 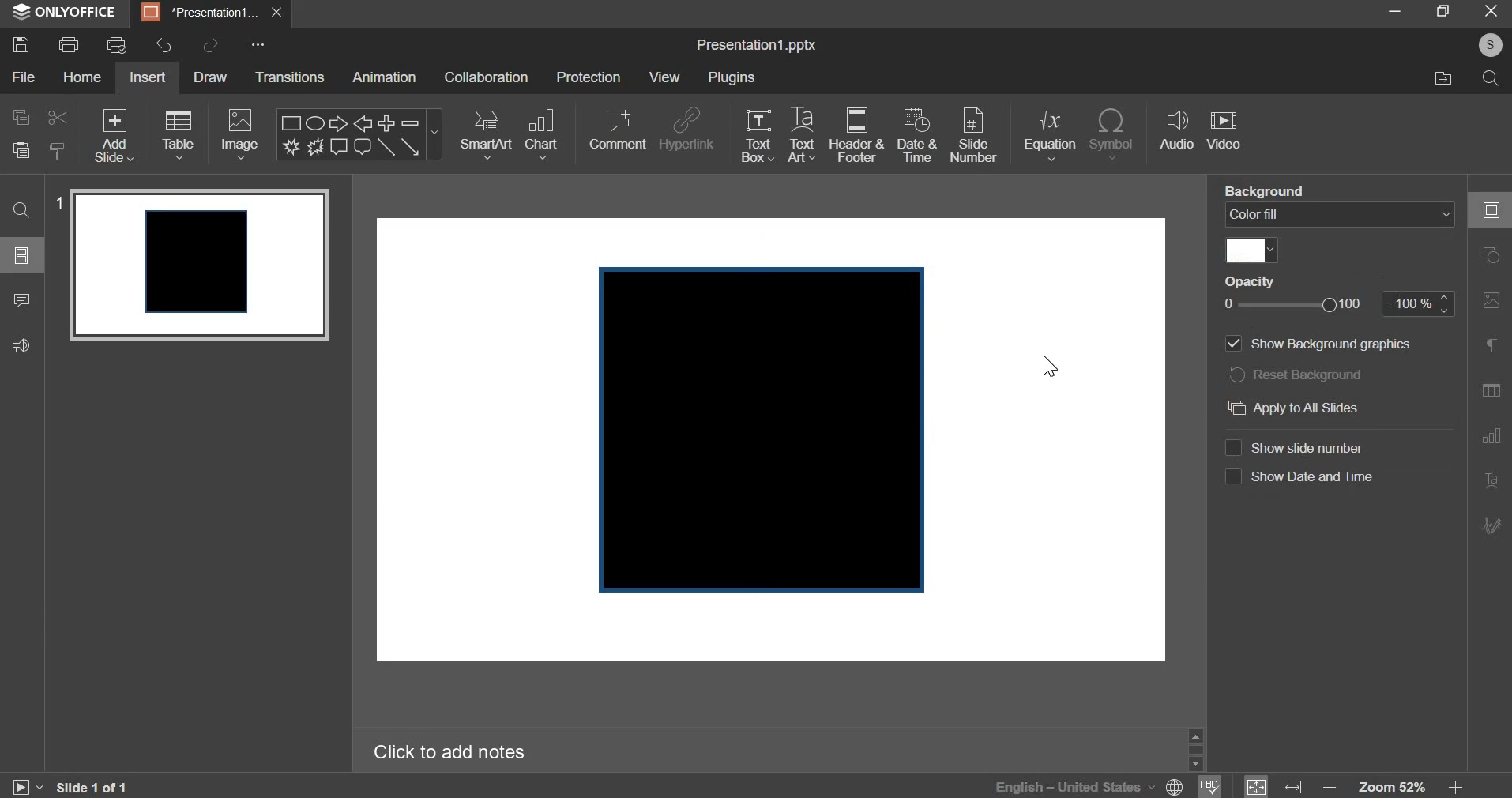 I want to click on home, so click(x=81, y=77).